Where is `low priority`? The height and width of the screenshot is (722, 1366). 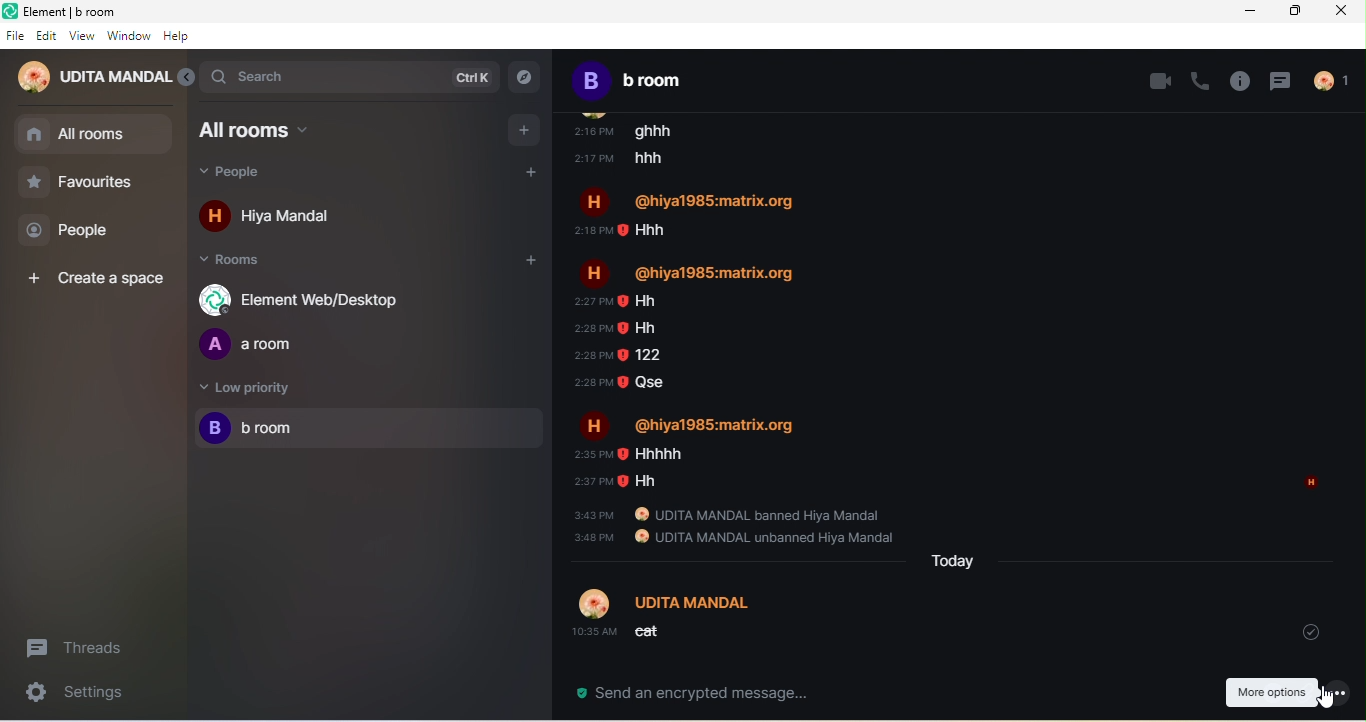 low priority is located at coordinates (247, 391).